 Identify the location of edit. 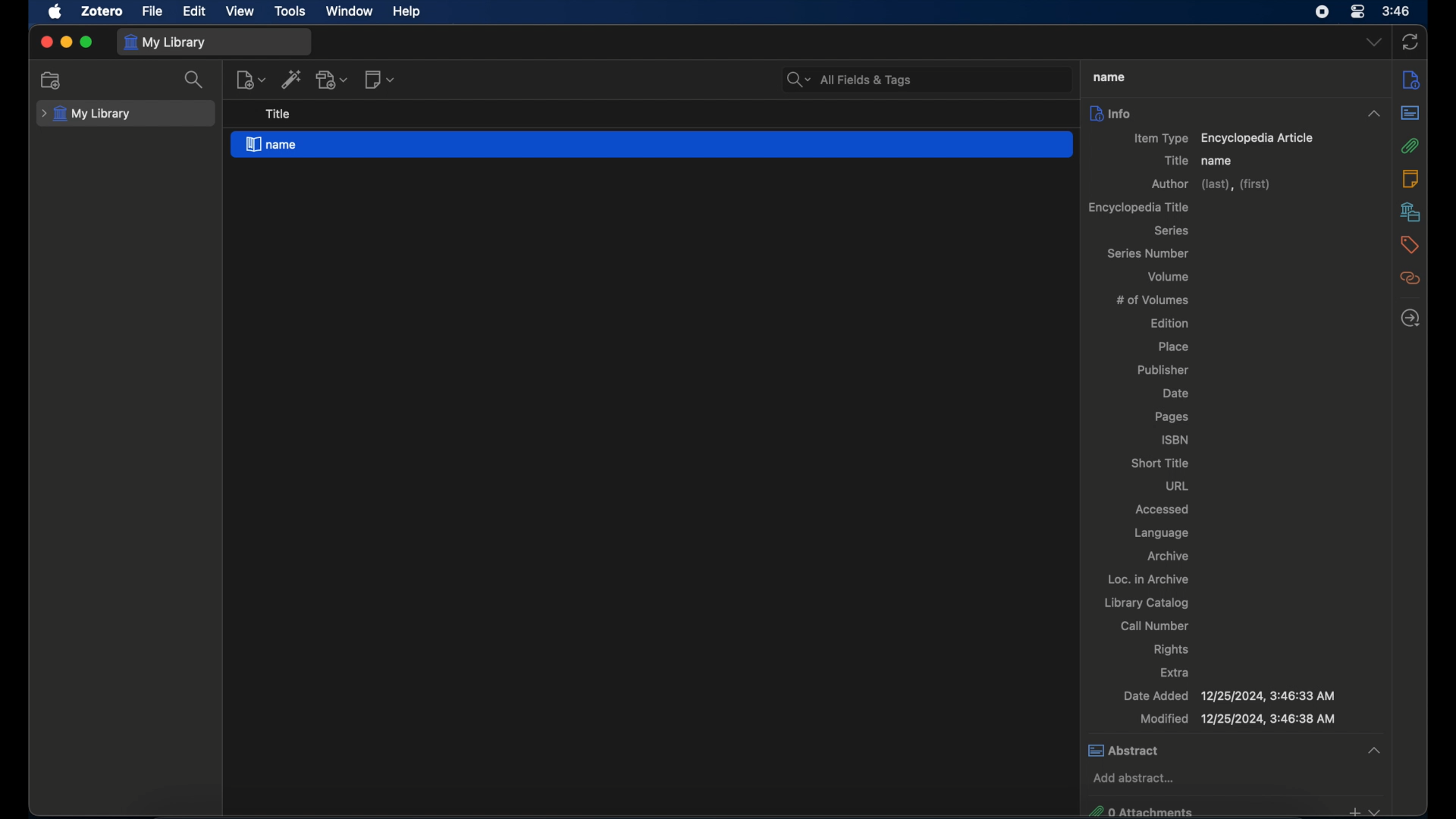
(194, 12).